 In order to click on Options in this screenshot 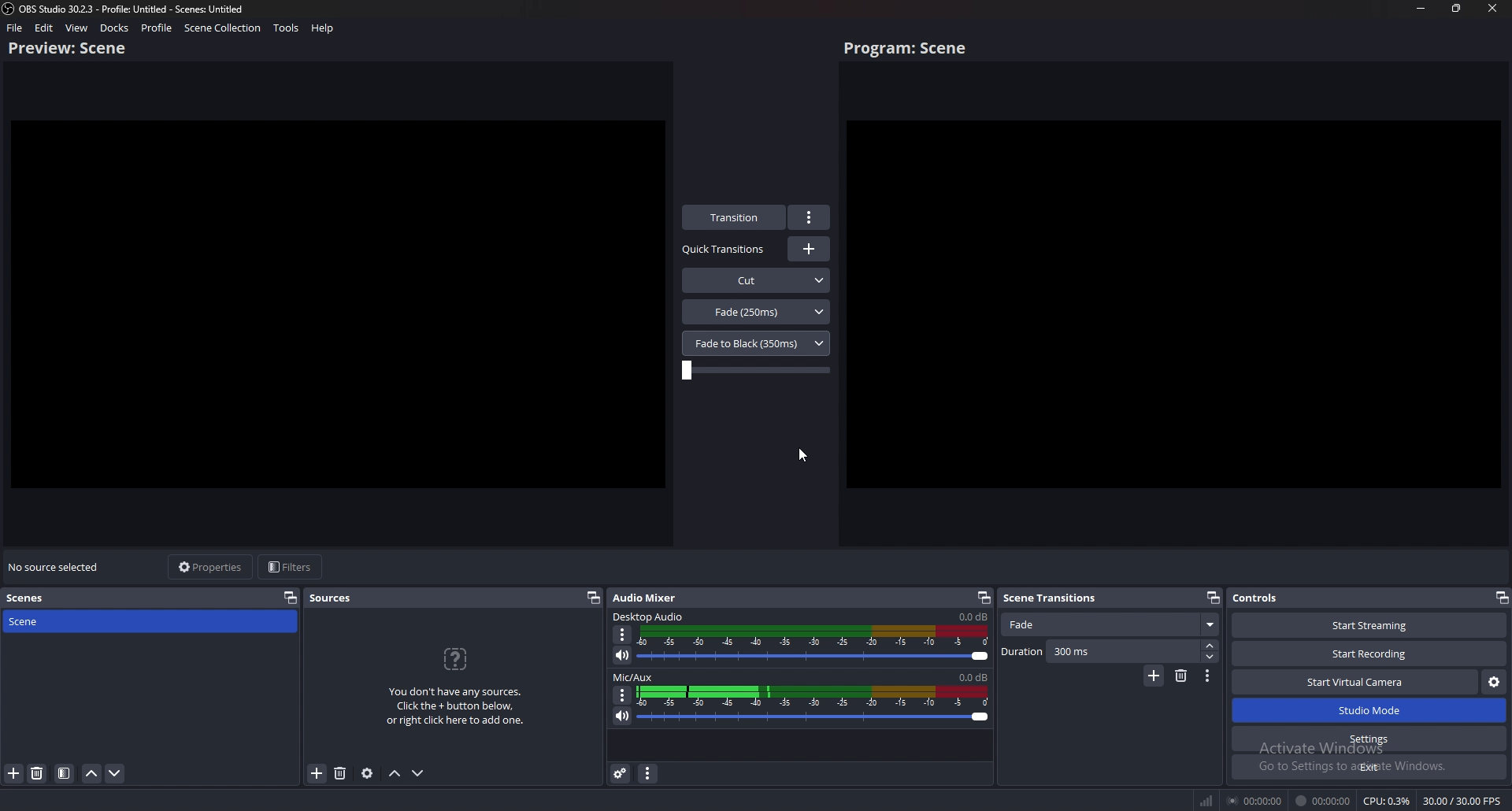, I will do `click(621, 694)`.